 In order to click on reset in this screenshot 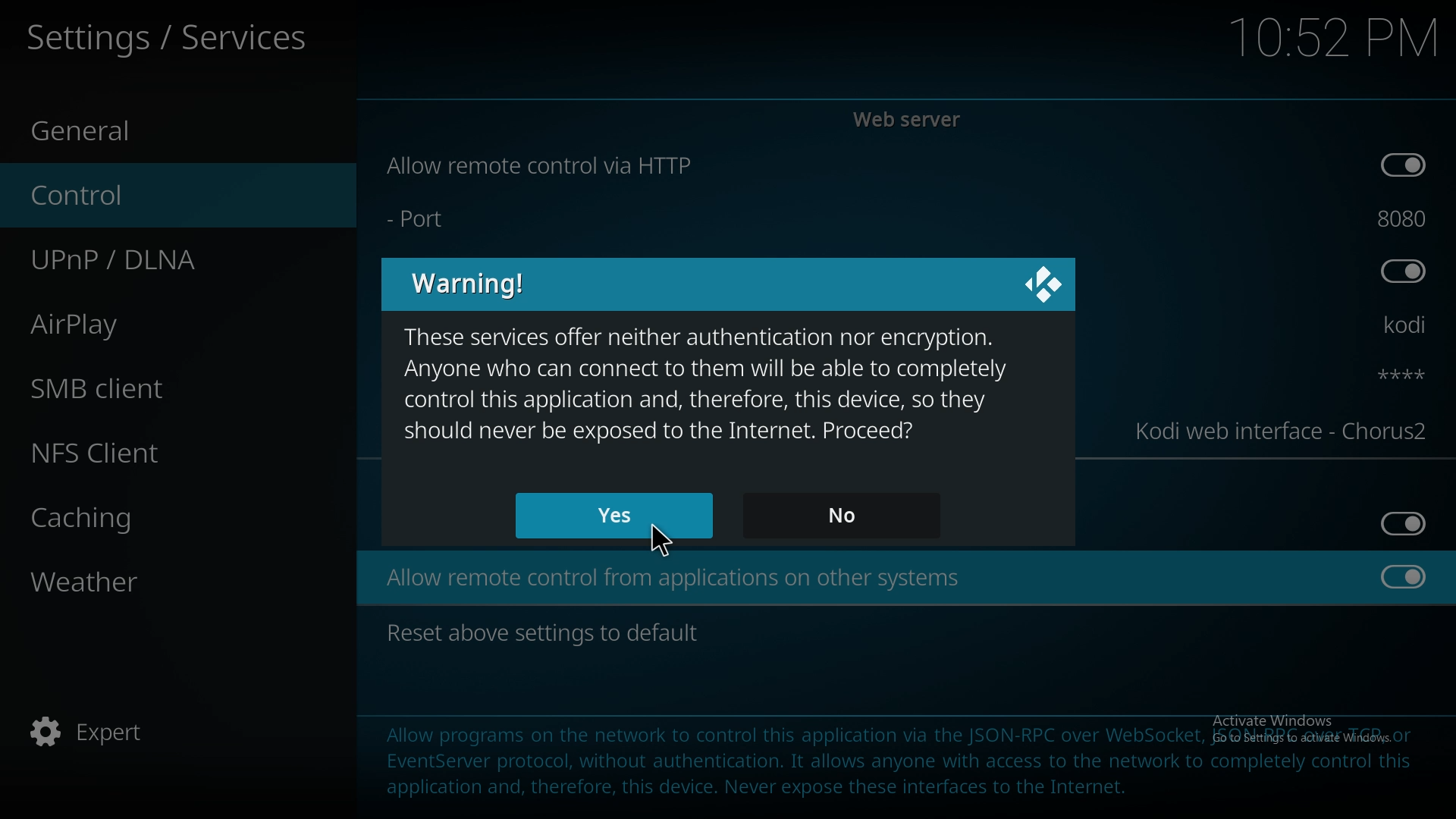, I will do `click(548, 634)`.